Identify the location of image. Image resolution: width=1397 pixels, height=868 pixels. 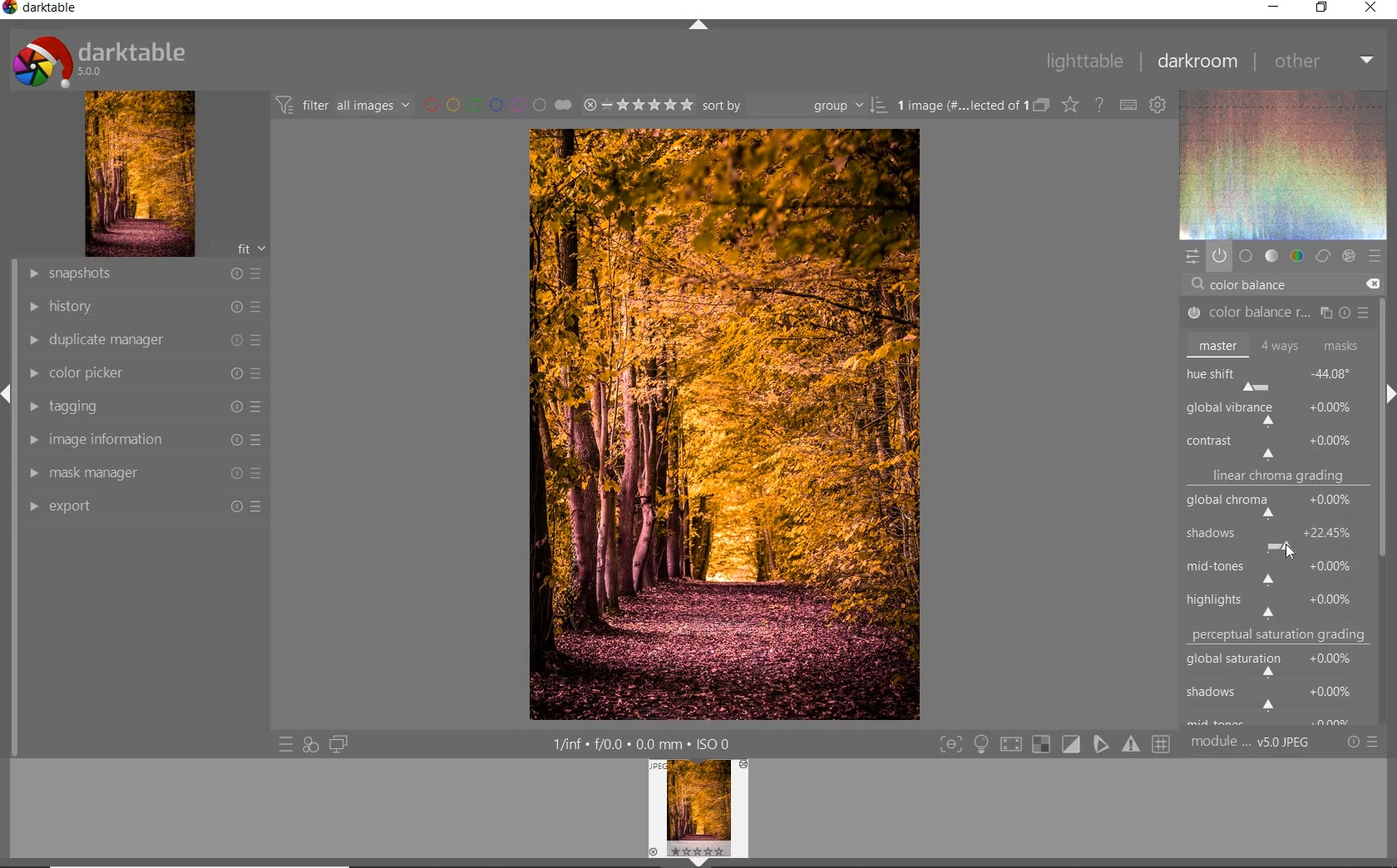
(141, 174).